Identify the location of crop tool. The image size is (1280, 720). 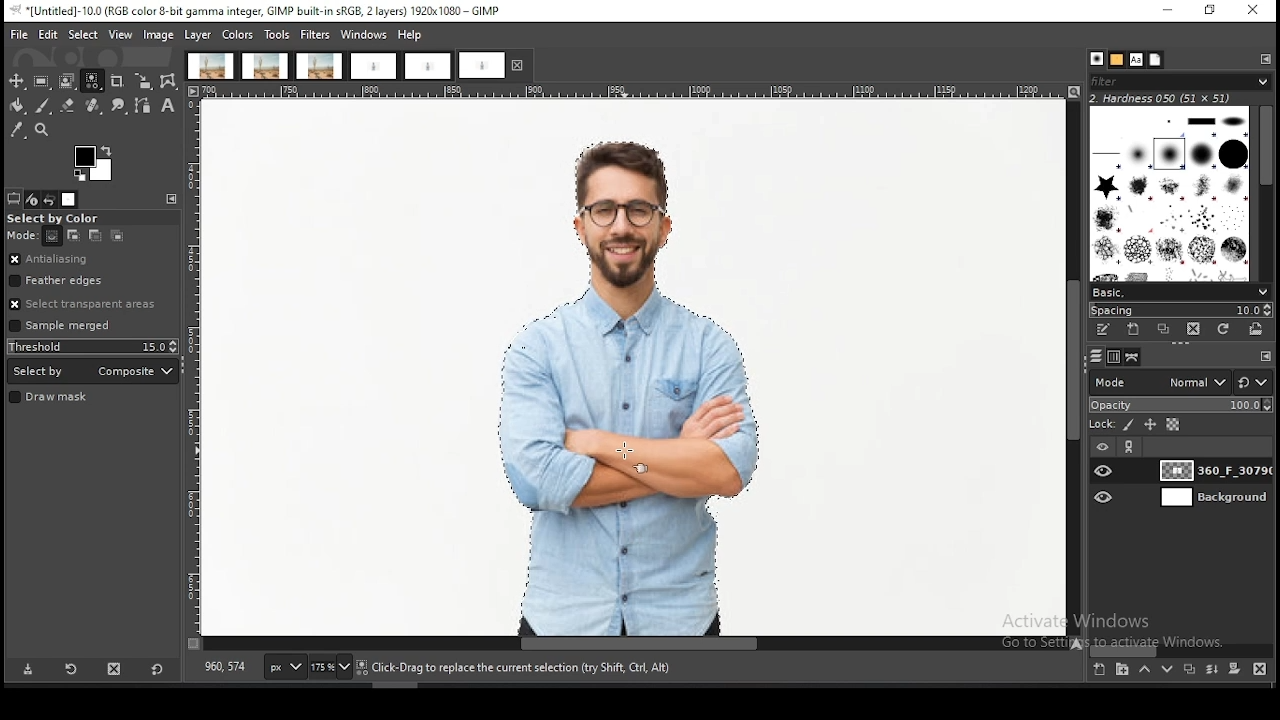
(117, 83).